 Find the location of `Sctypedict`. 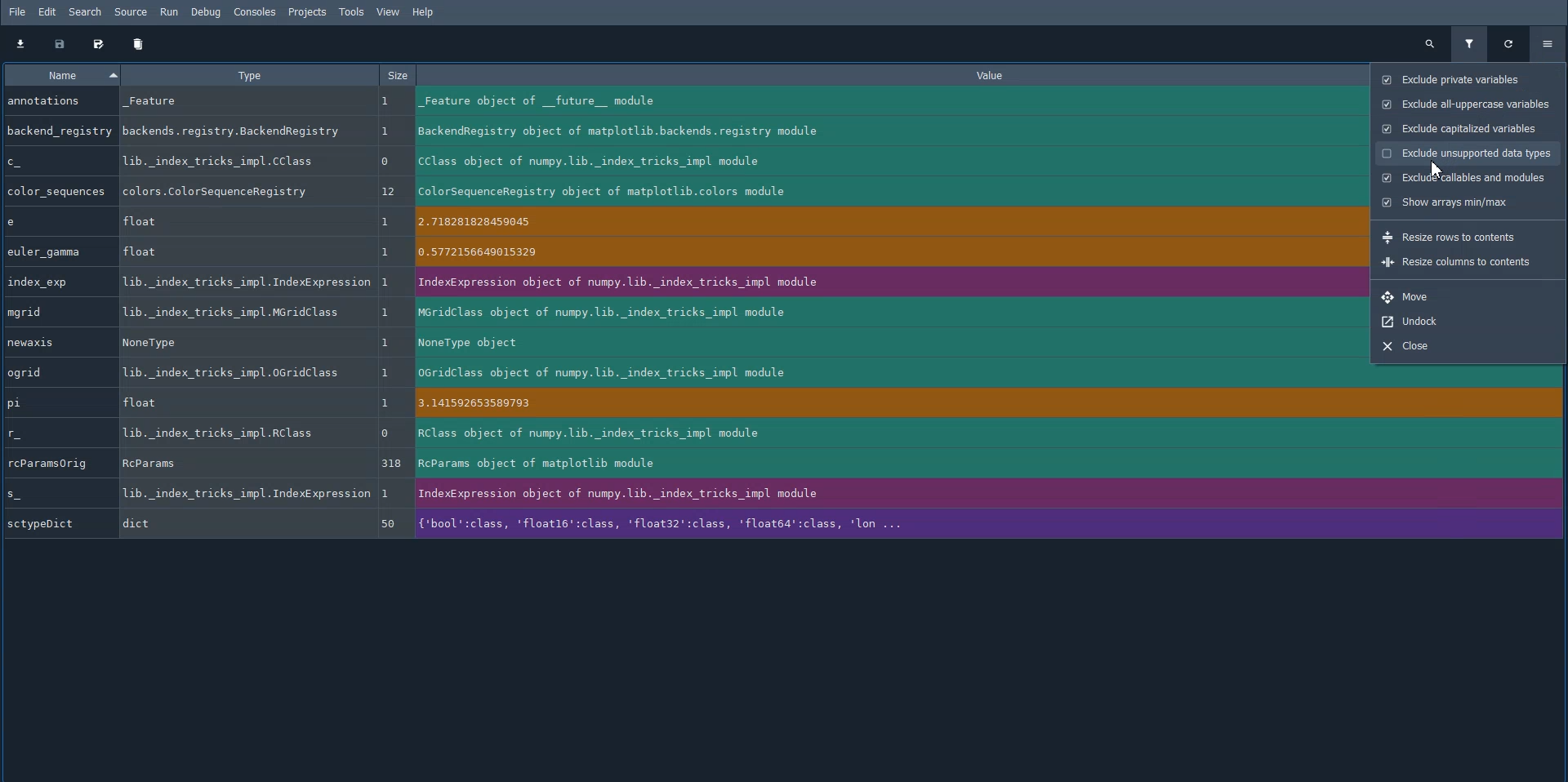

Sctypedict is located at coordinates (56, 523).